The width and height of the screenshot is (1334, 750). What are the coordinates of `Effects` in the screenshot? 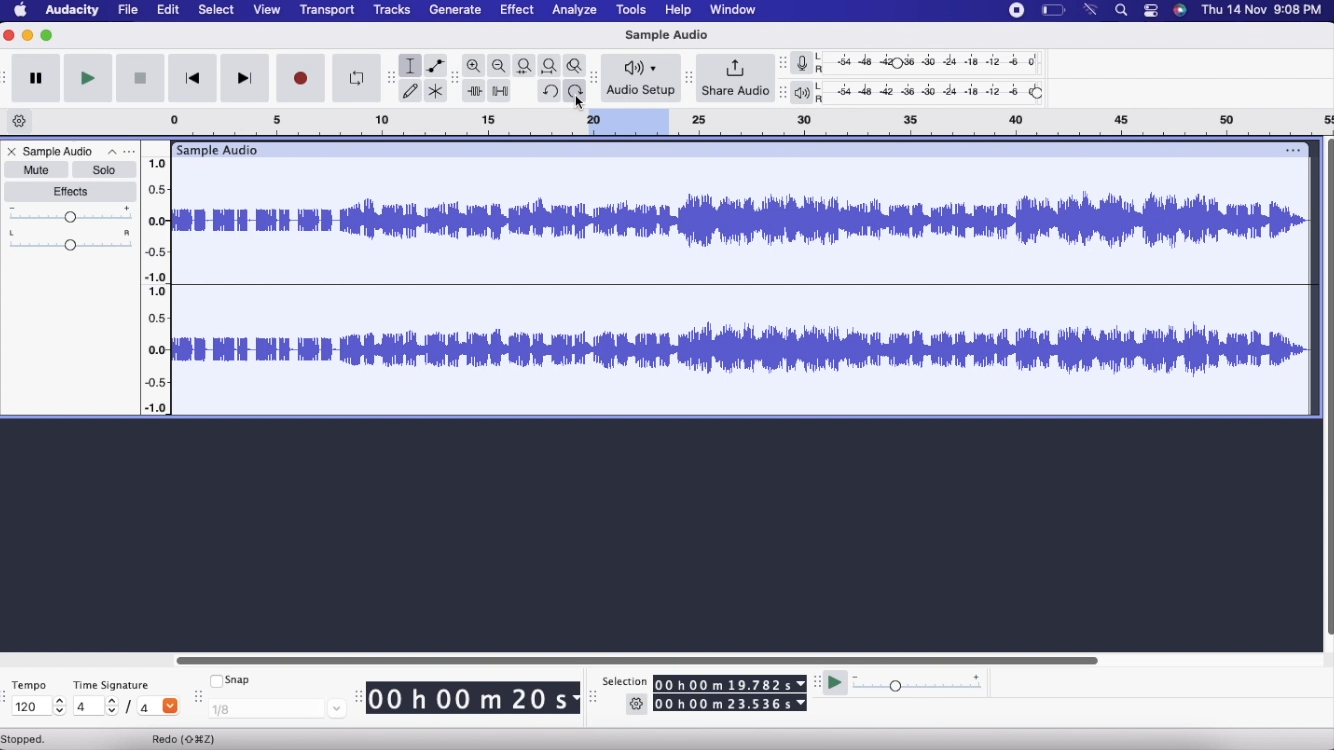 It's located at (72, 193).